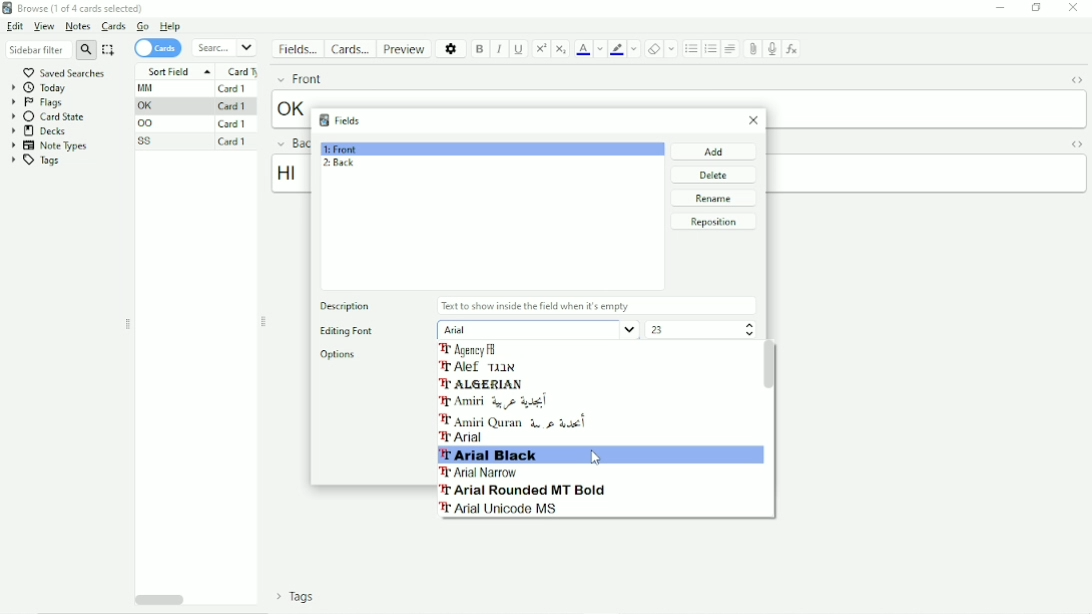  I want to click on Amiri Quran, so click(513, 421).